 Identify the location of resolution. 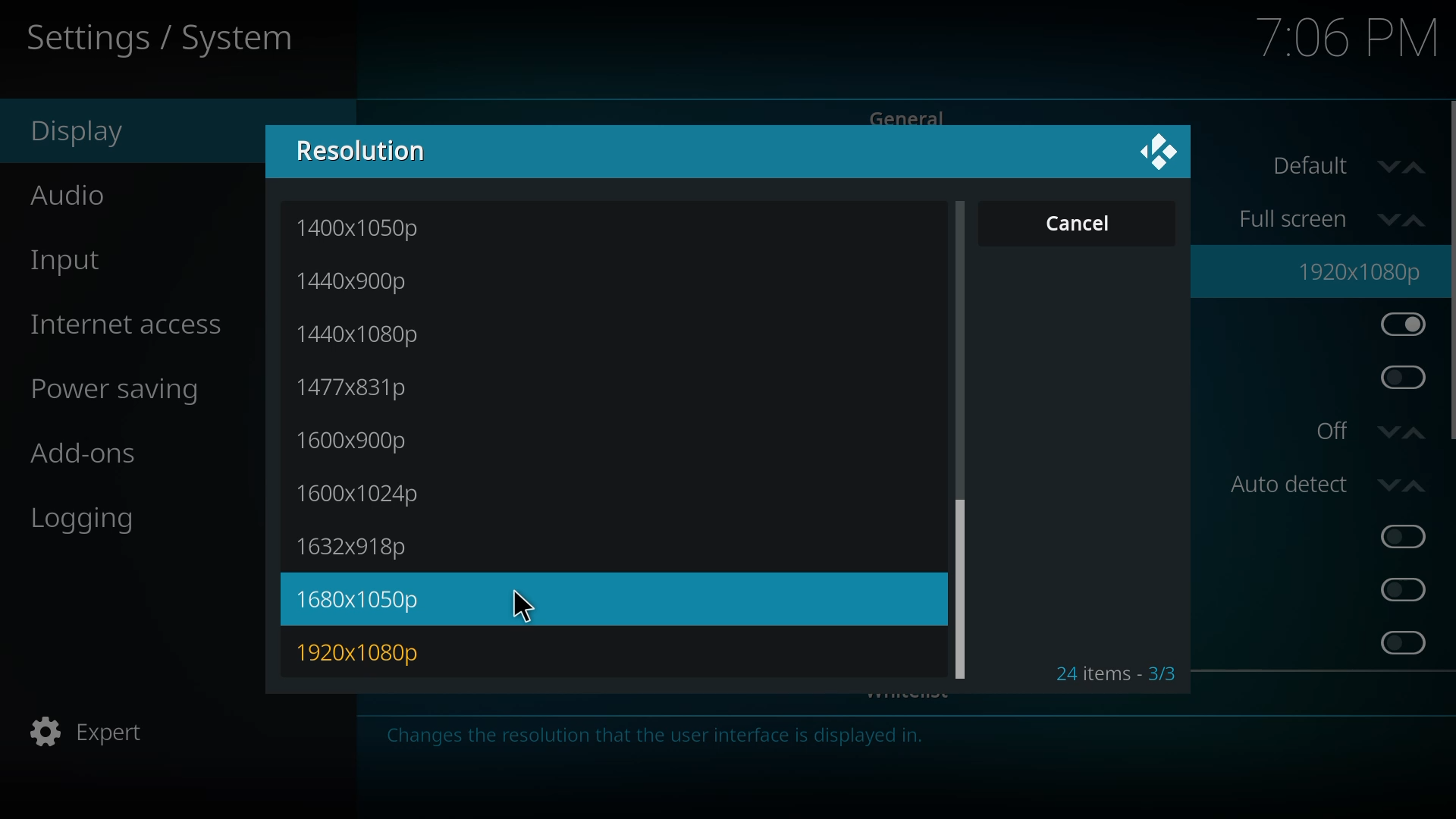
(369, 152).